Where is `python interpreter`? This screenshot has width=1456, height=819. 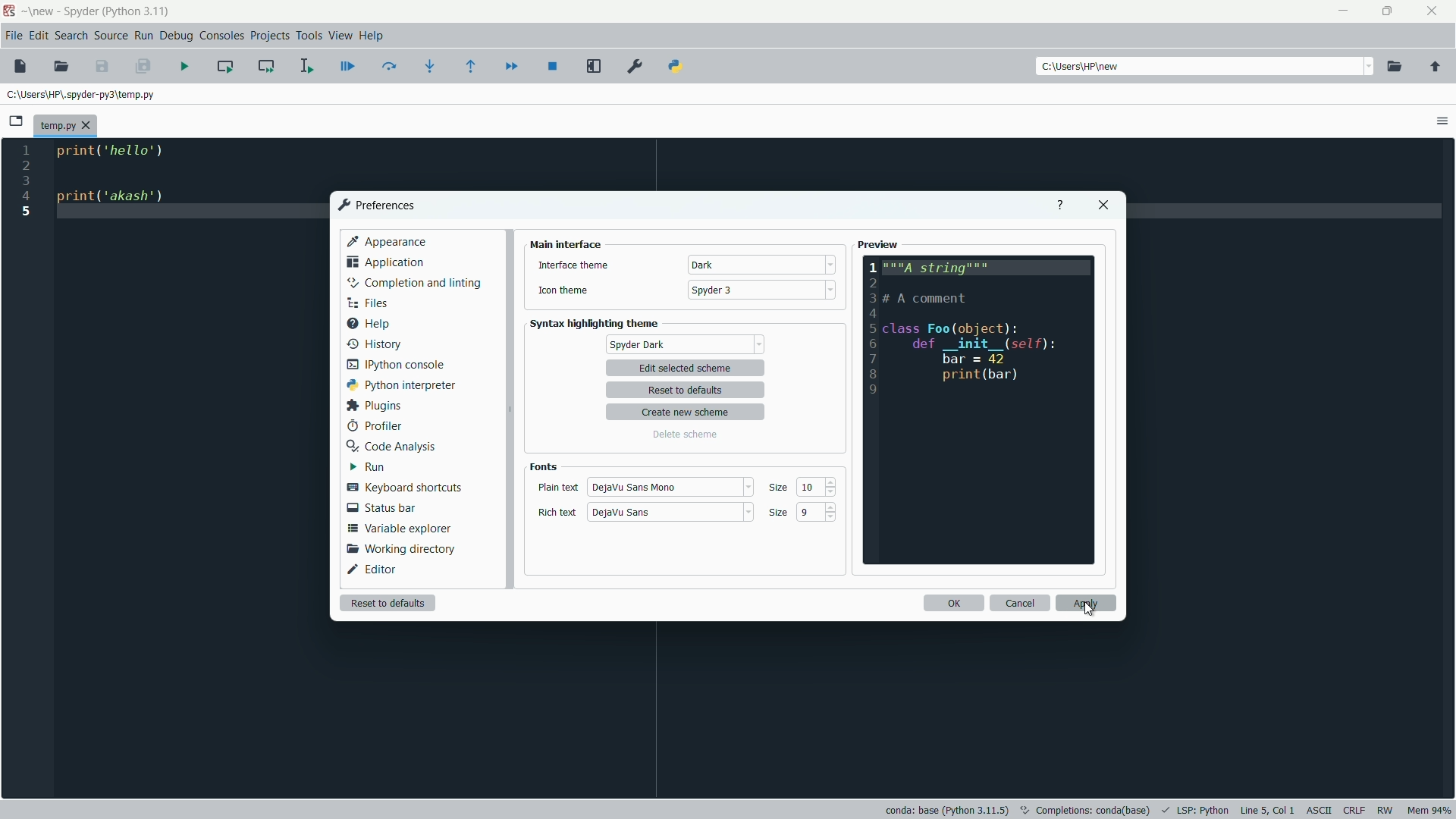 python interpreter is located at coordinates (398, 384).